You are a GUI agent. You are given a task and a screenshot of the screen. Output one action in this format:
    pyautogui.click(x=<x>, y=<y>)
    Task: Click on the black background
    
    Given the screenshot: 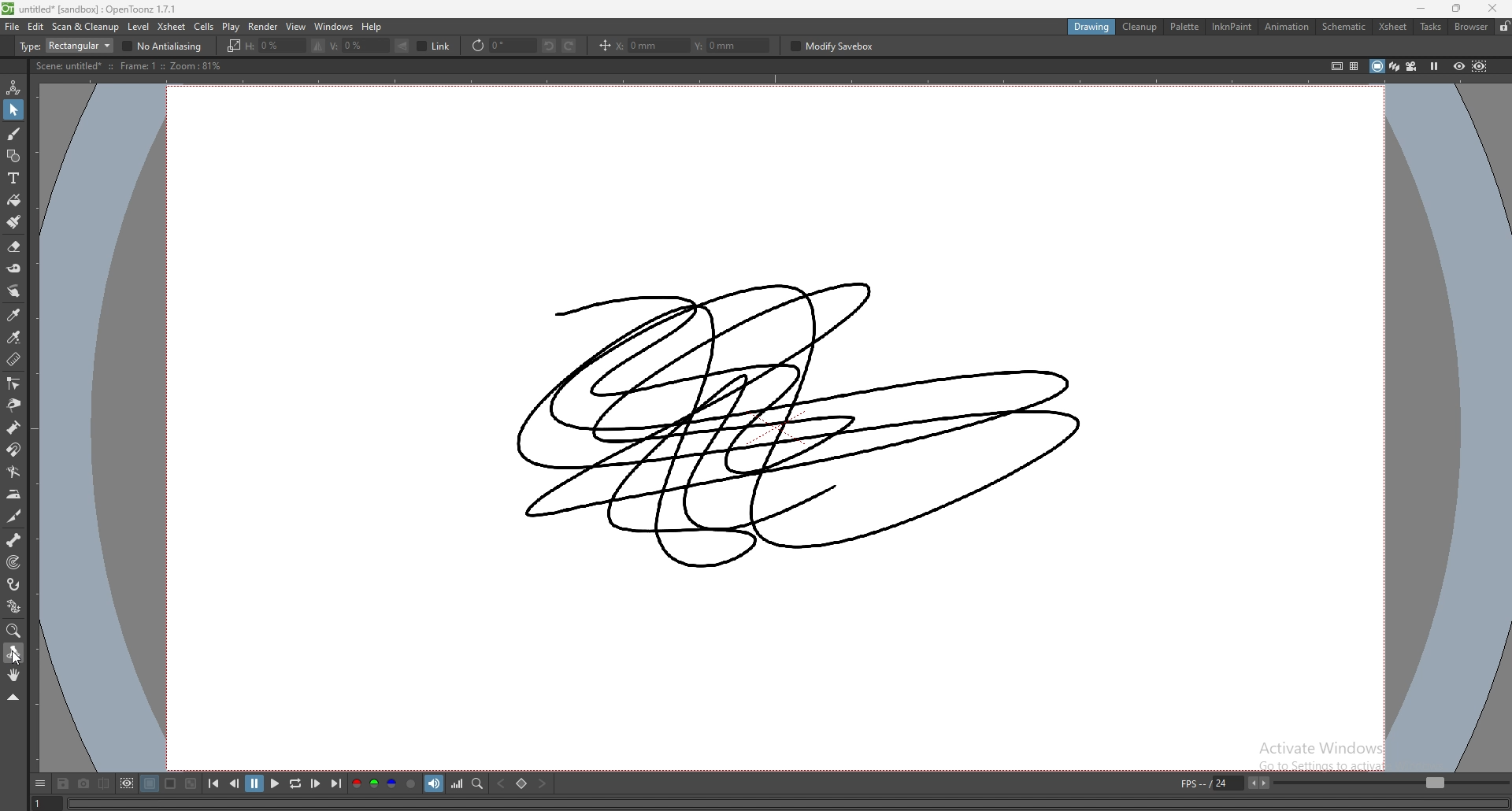 What is the action you would take?
    pyautogui.click(x=150, y=784)
    